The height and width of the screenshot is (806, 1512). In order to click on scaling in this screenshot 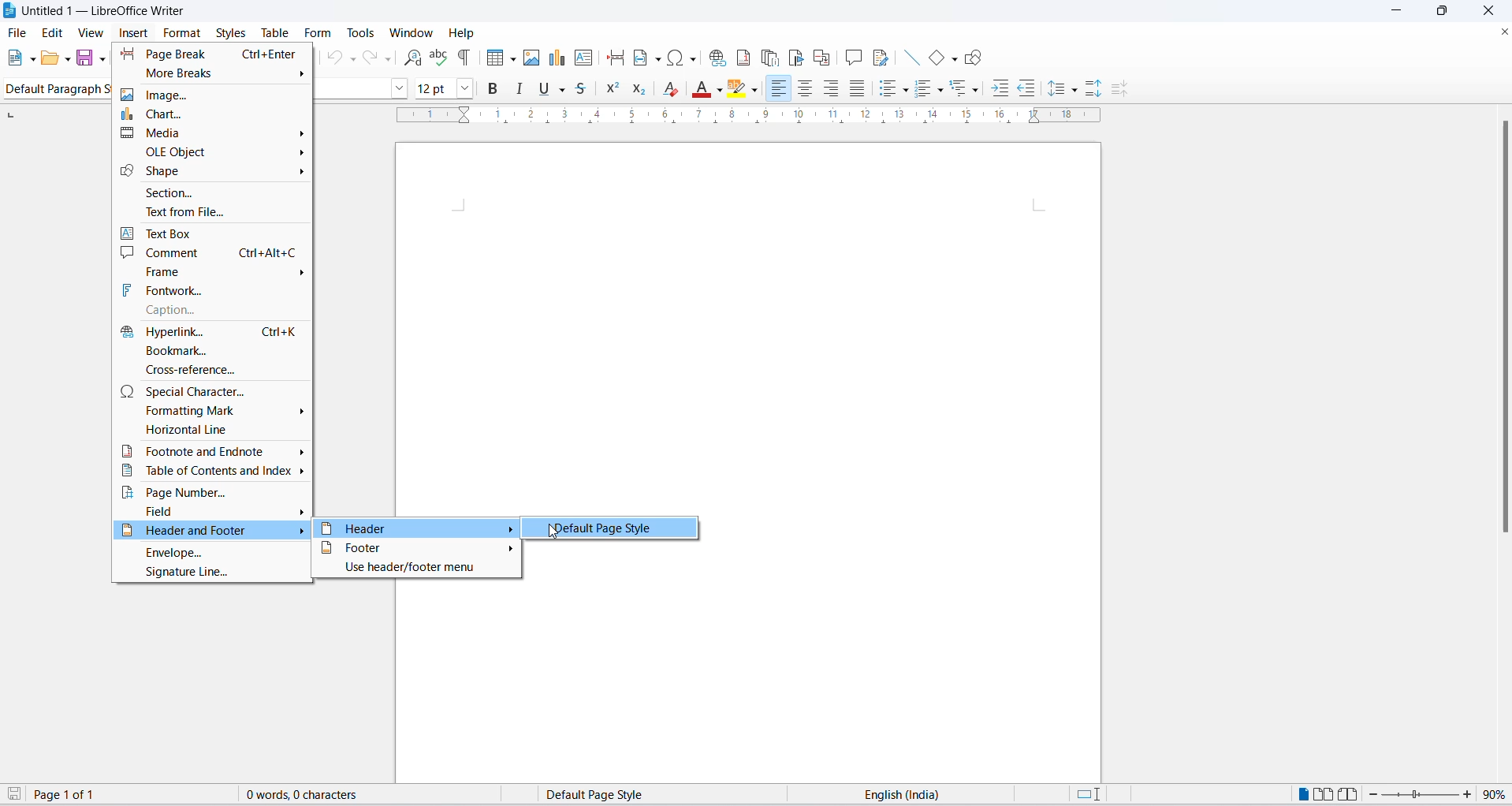, I will do `click(757, 122)`.